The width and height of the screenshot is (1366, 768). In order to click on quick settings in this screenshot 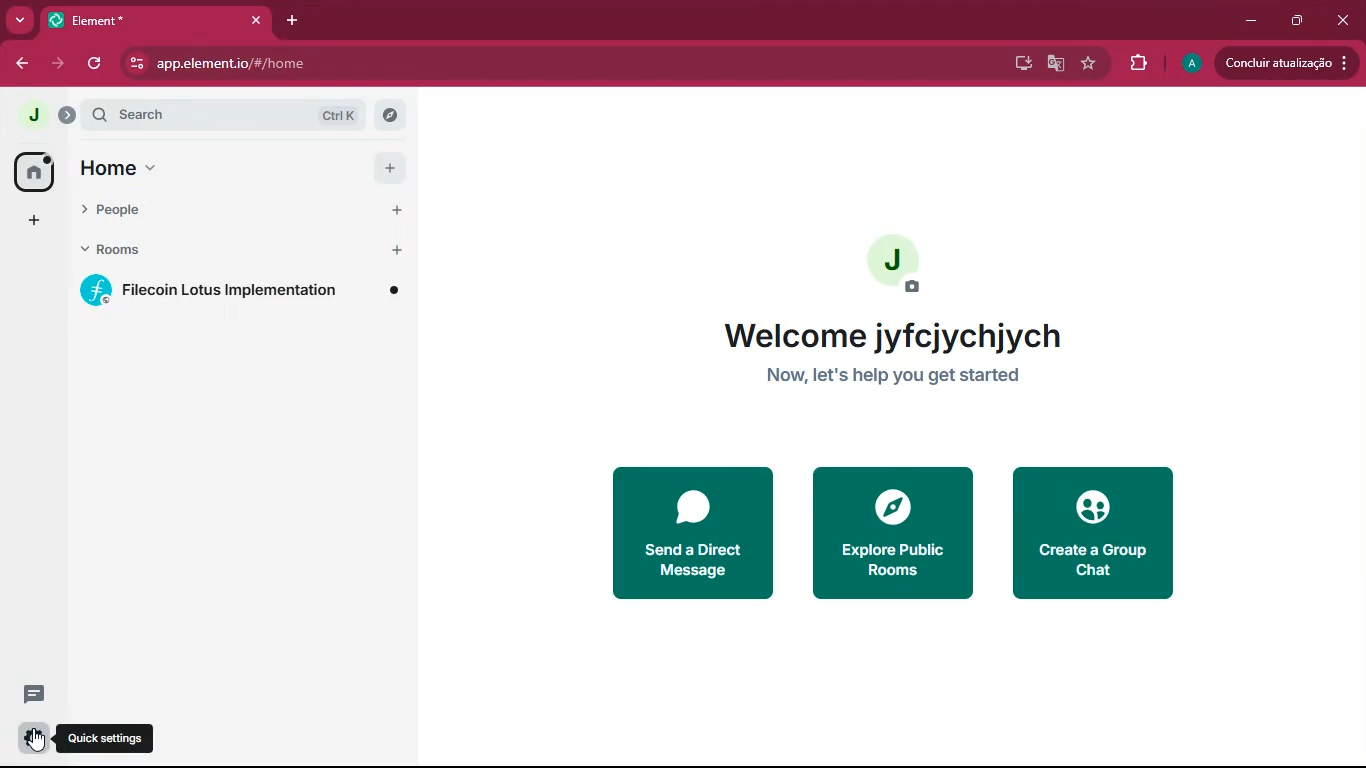, I will do `click(35, 737)`.